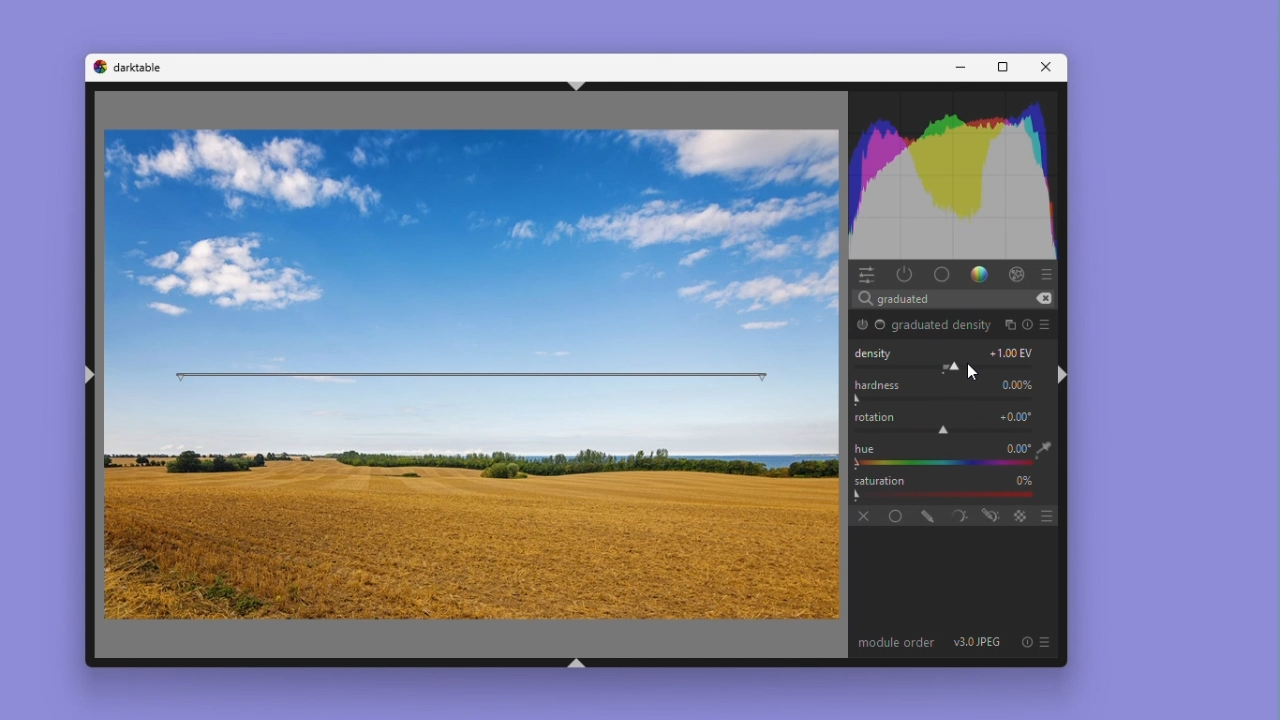 This screenshot has width=1280, height=720. I want to click on Cursor, so click(974, 372).